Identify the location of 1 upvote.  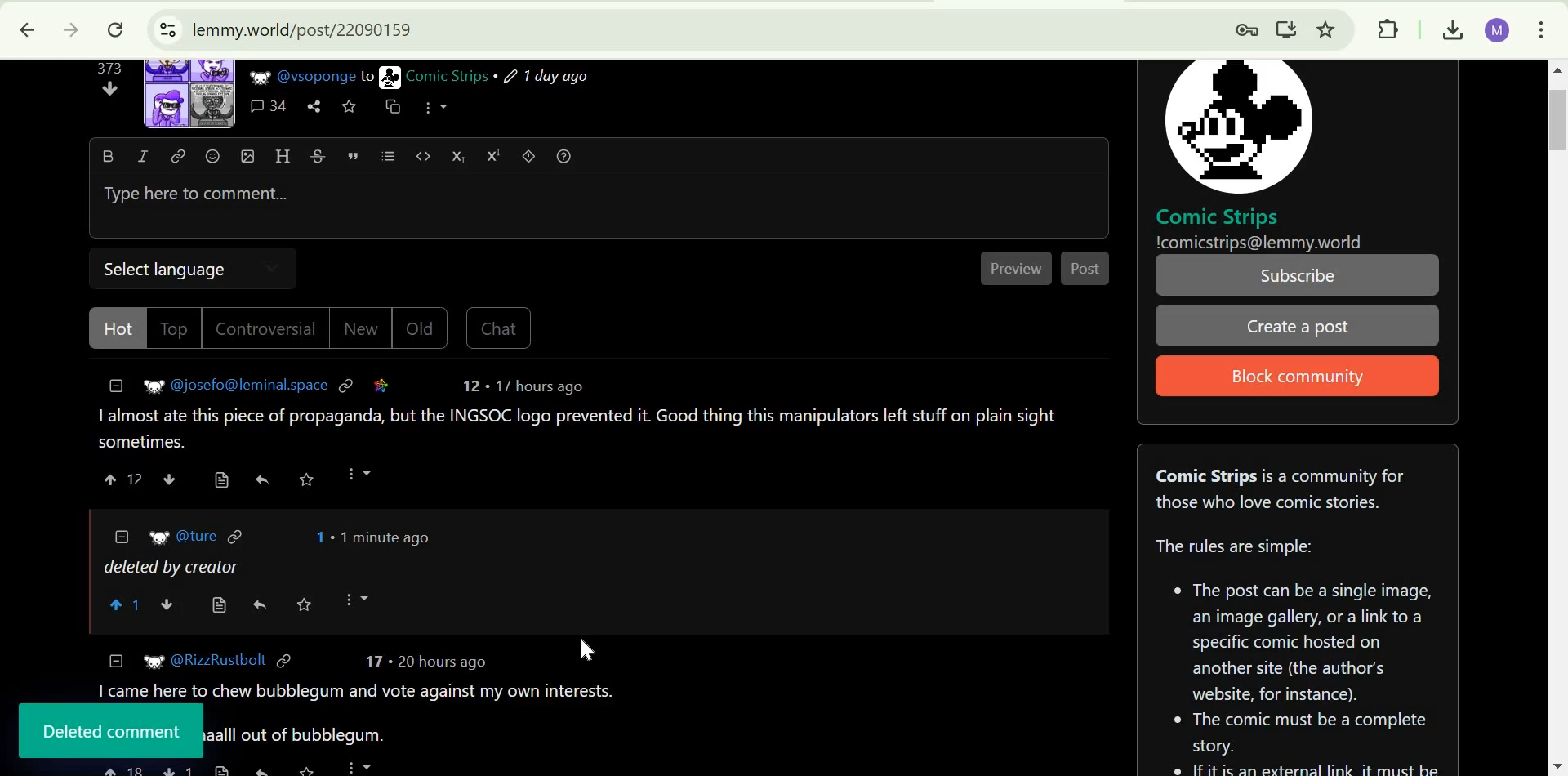
(127, 605).